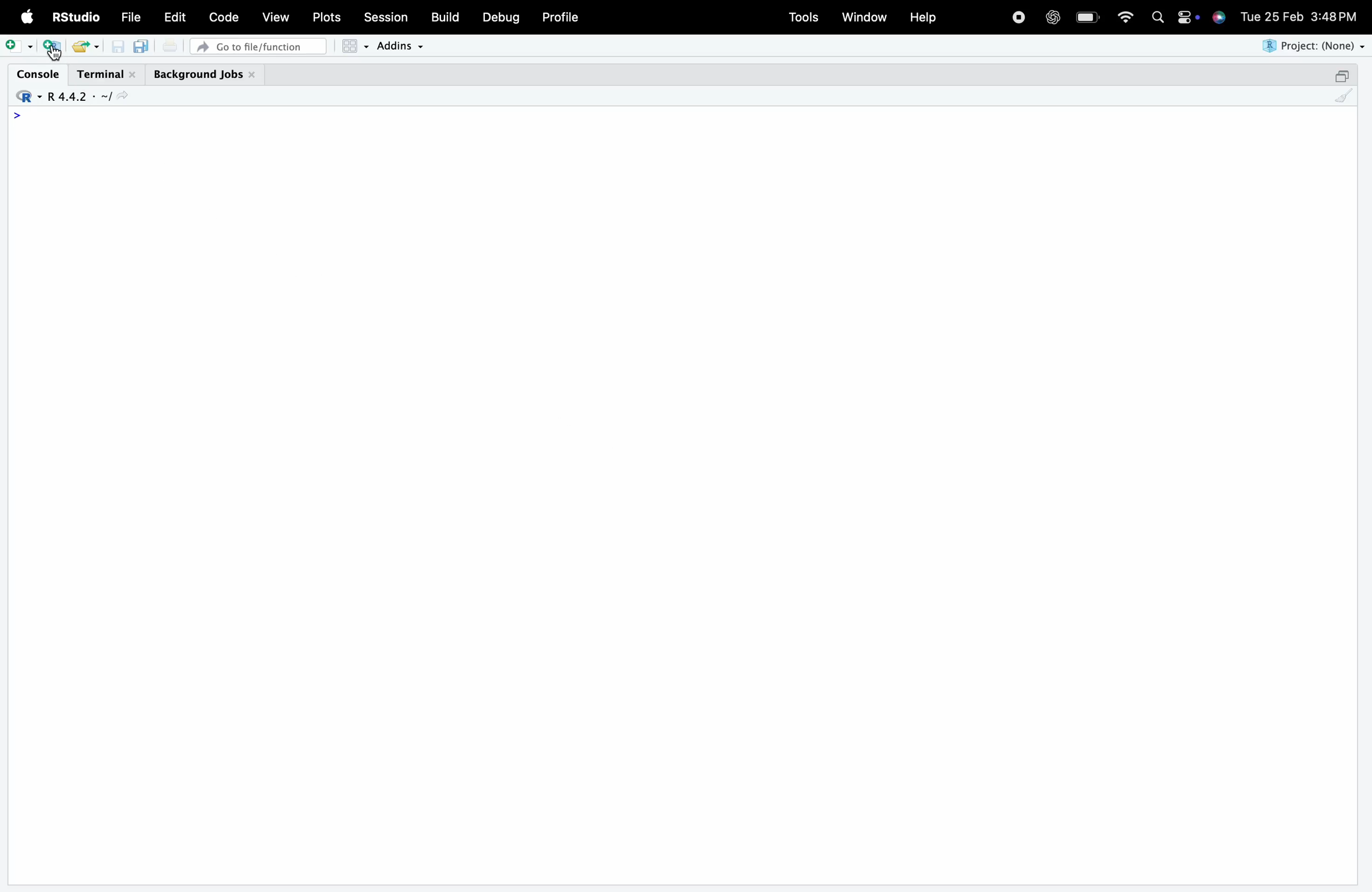 The width and height of the screenshot is (1372, 892). I want to click on open AI, so click(1052, 17).